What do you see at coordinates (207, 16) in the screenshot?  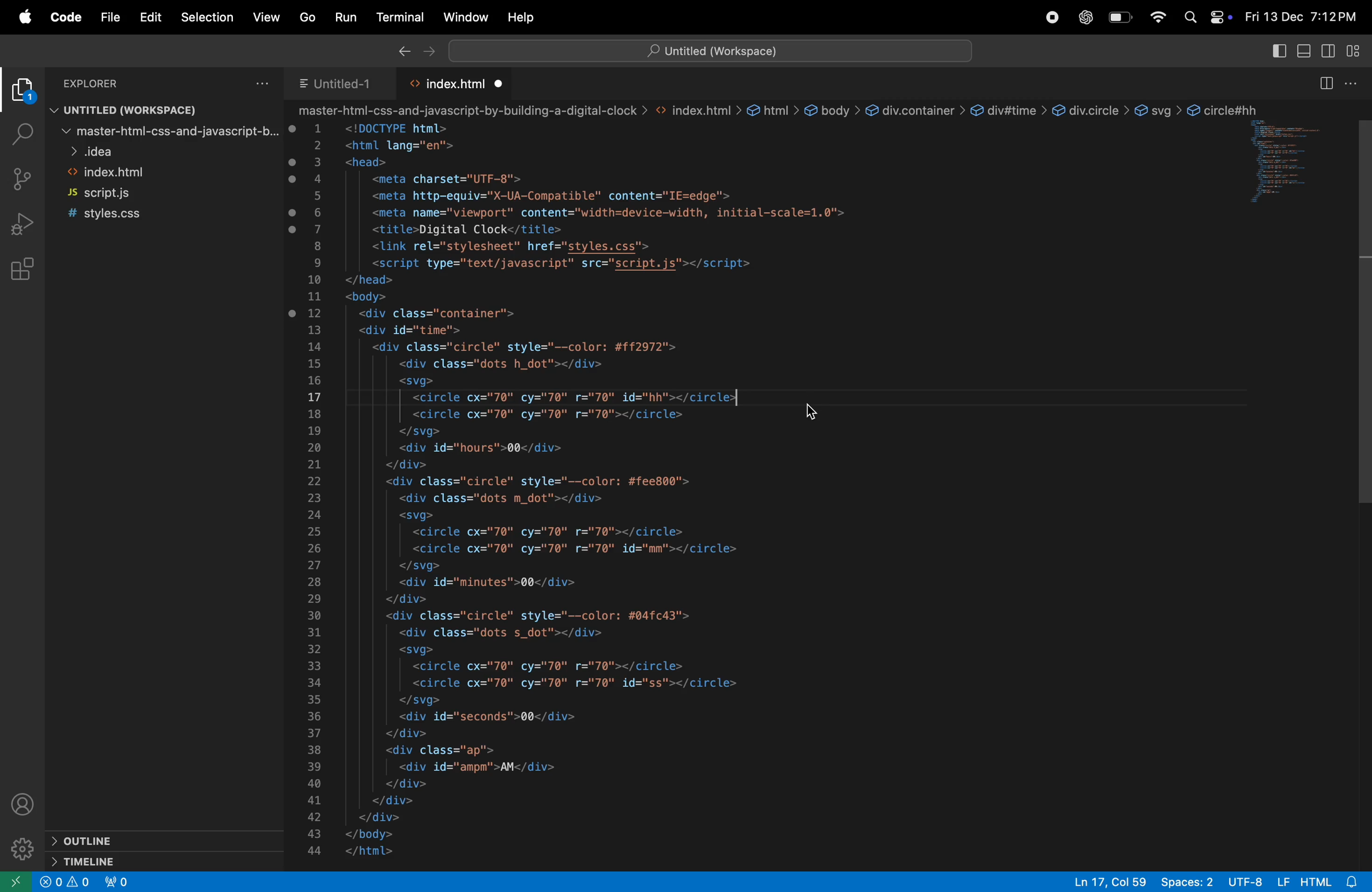 I see `selection` at bounding box center [207, 16].